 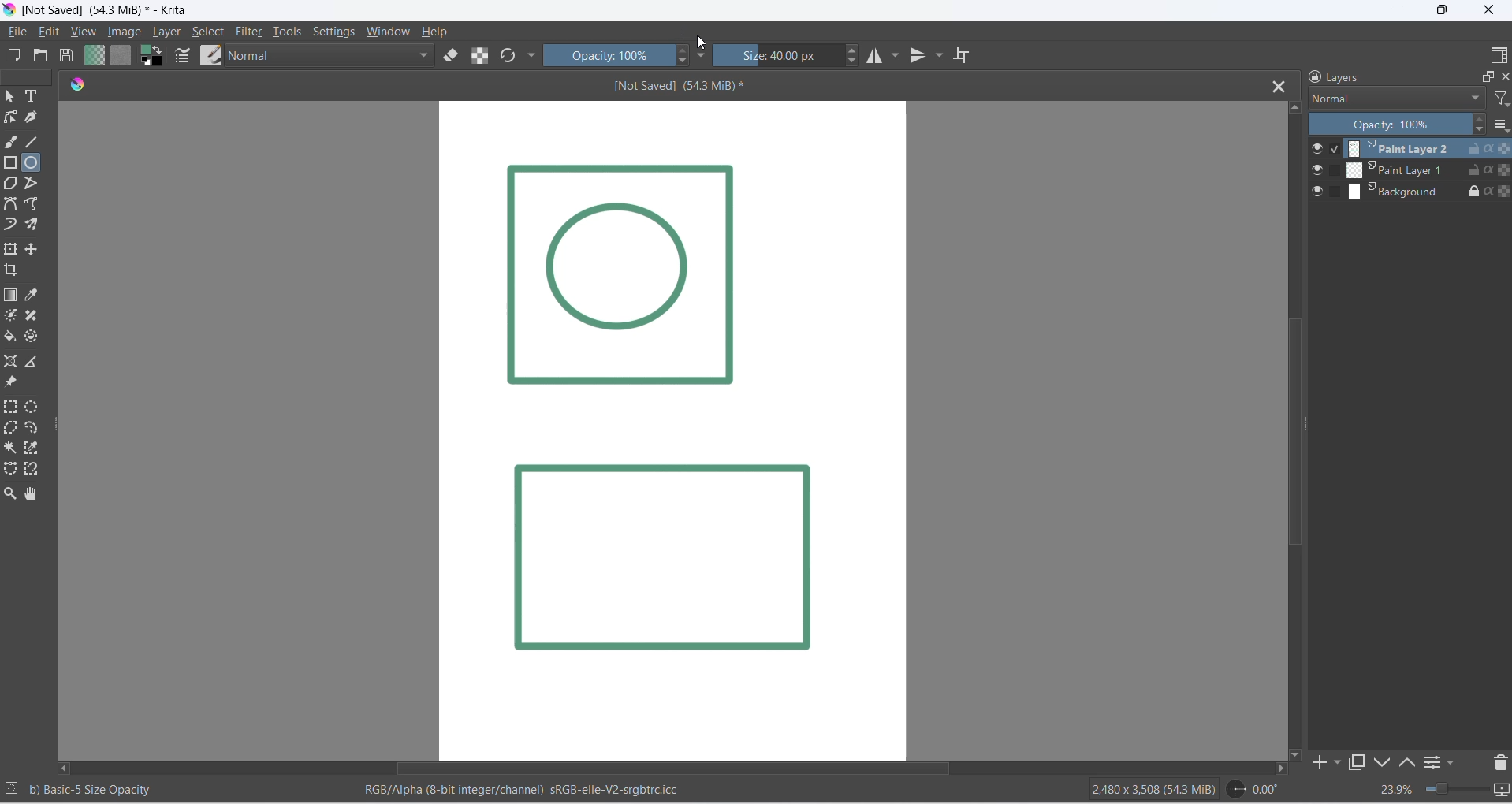 I want to click on help, so click(x=434, y=33).